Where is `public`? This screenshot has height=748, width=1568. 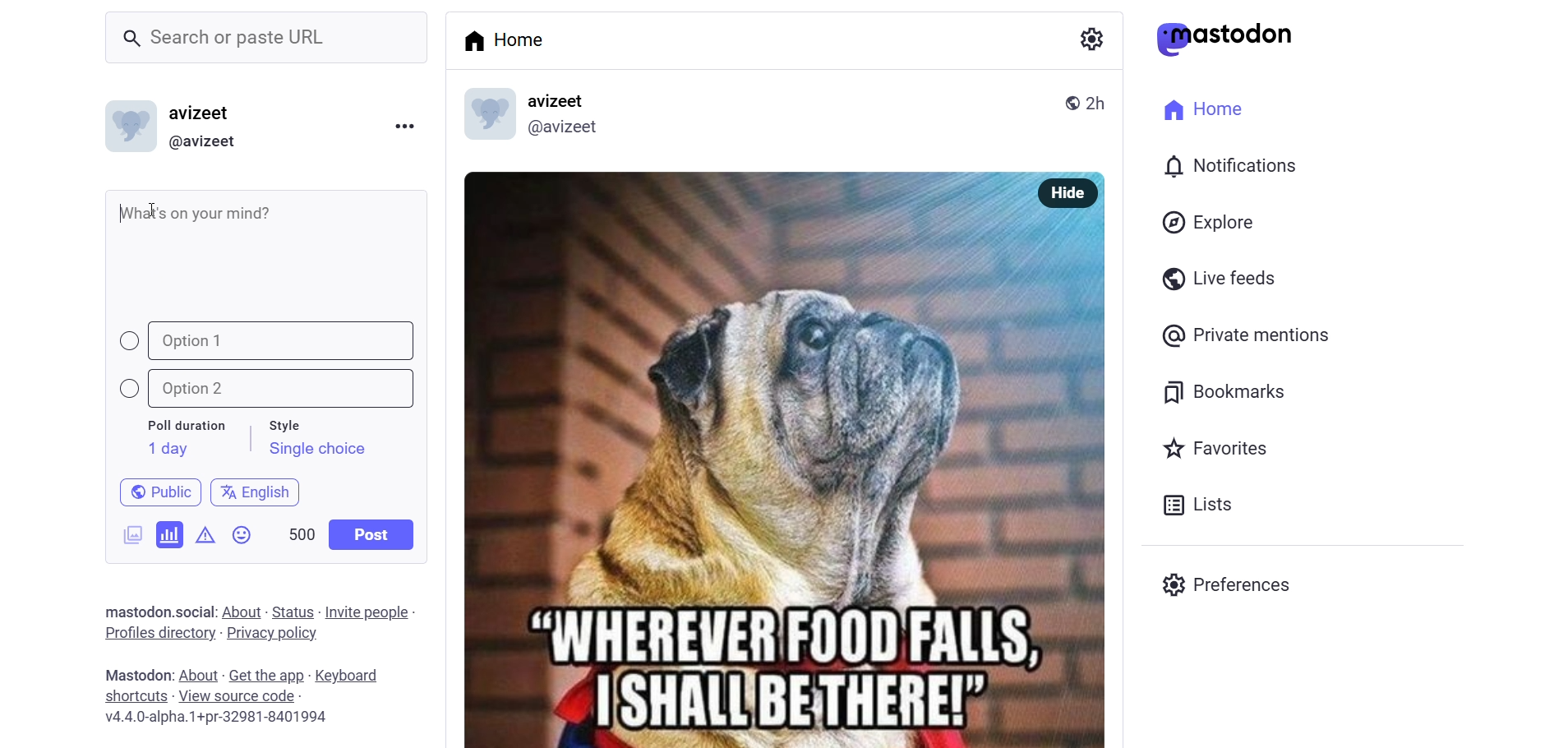
public is located at coordinates (1066, 101).